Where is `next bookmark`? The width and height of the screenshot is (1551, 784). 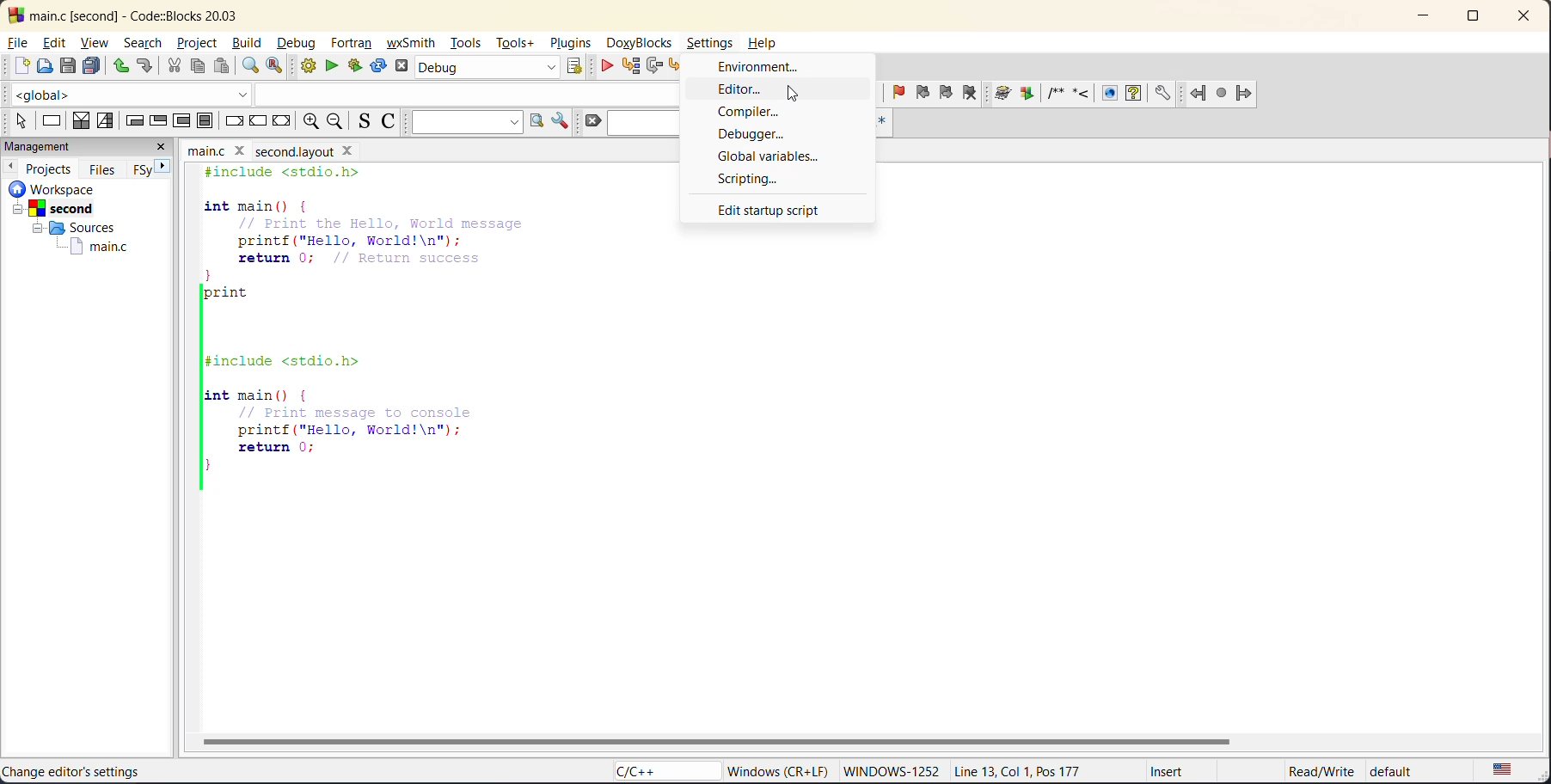
next bookmark is located at coordinates (948, 93).